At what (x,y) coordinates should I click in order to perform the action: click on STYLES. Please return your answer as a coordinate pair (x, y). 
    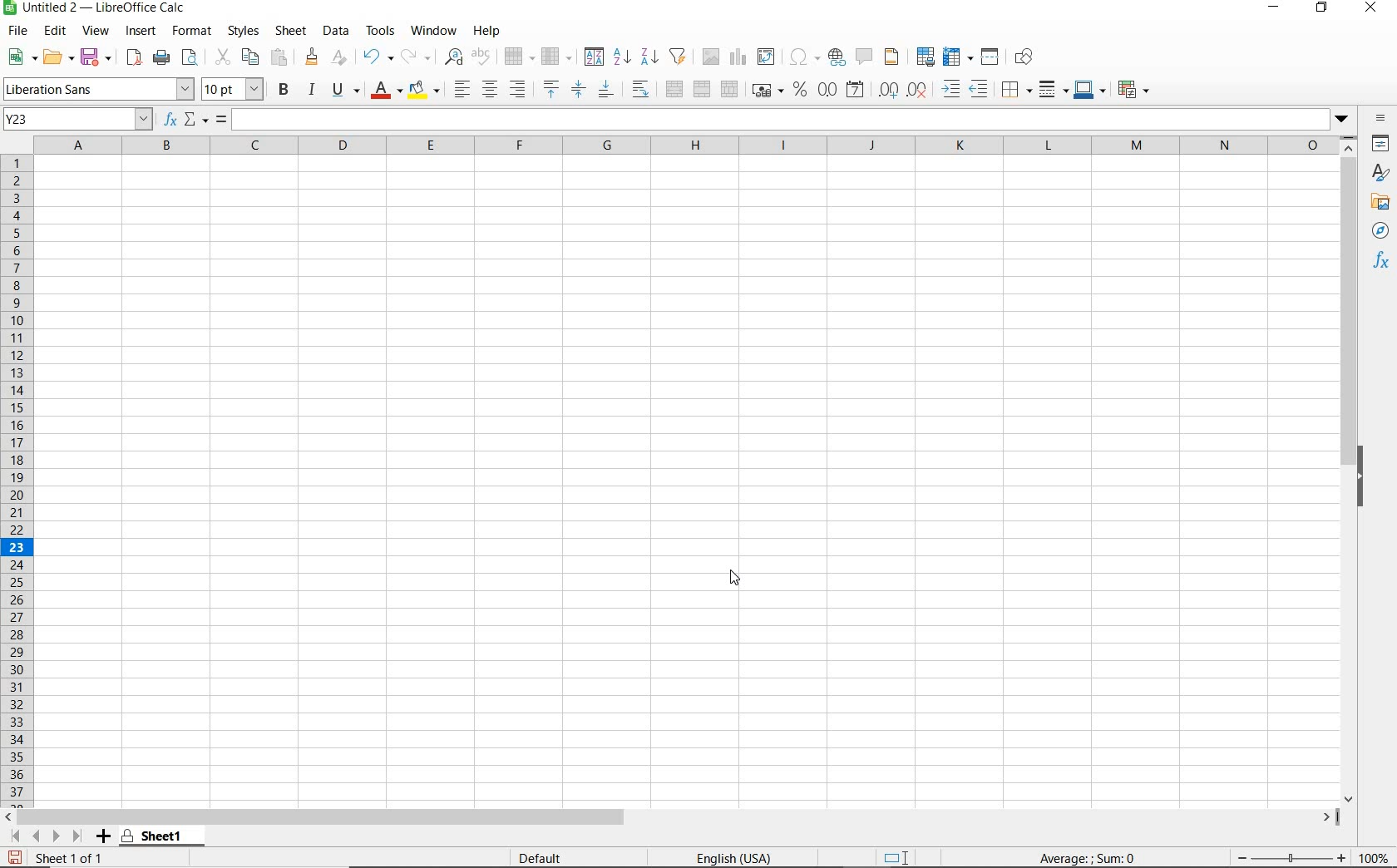
    Looking at the image, I should click on (243, 31).